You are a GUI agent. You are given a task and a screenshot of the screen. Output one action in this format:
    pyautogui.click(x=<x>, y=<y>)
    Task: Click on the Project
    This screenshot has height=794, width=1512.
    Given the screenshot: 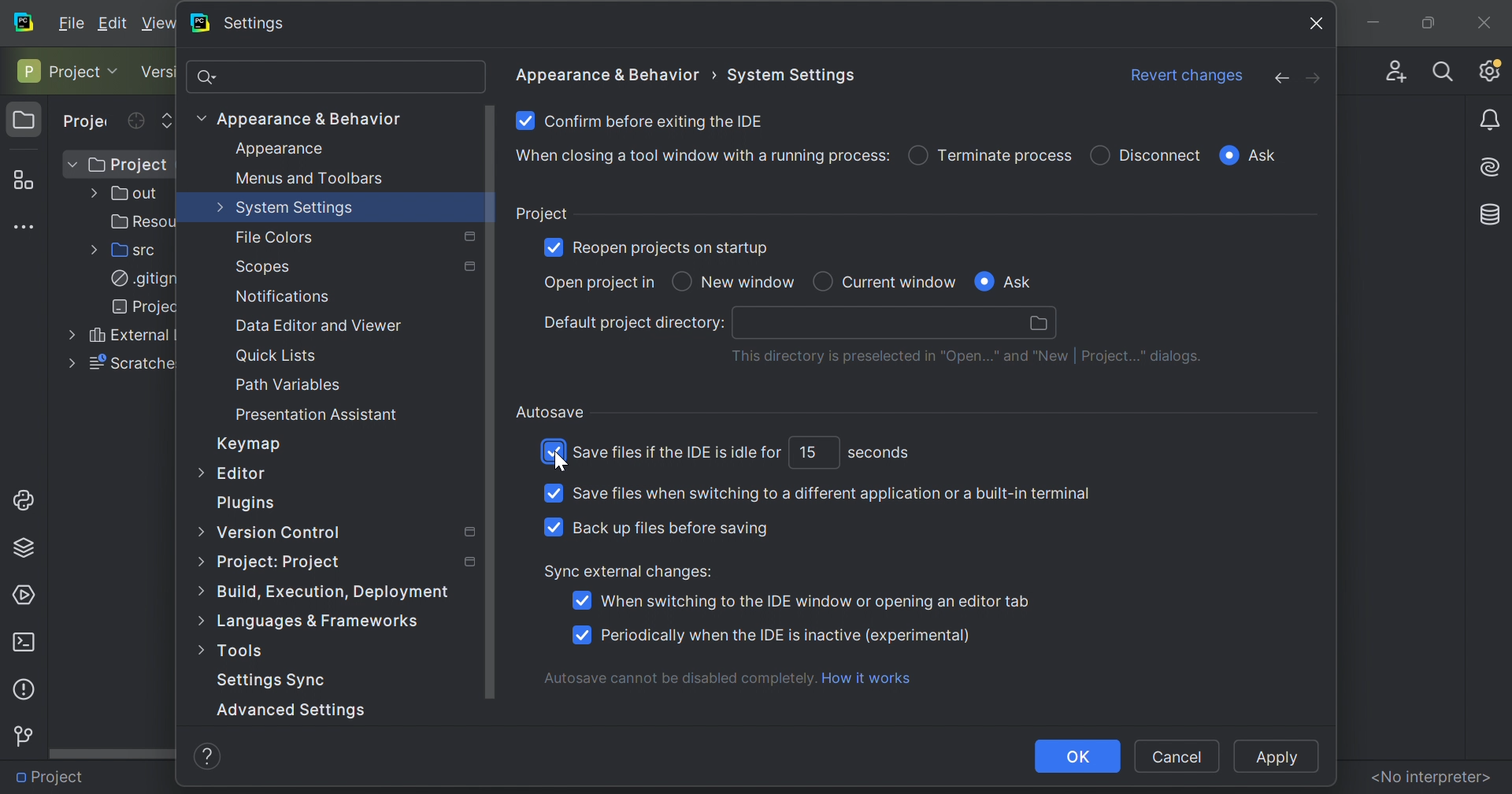 What is the action you would take?
    pyautogui.click(x=53, y=775)
    